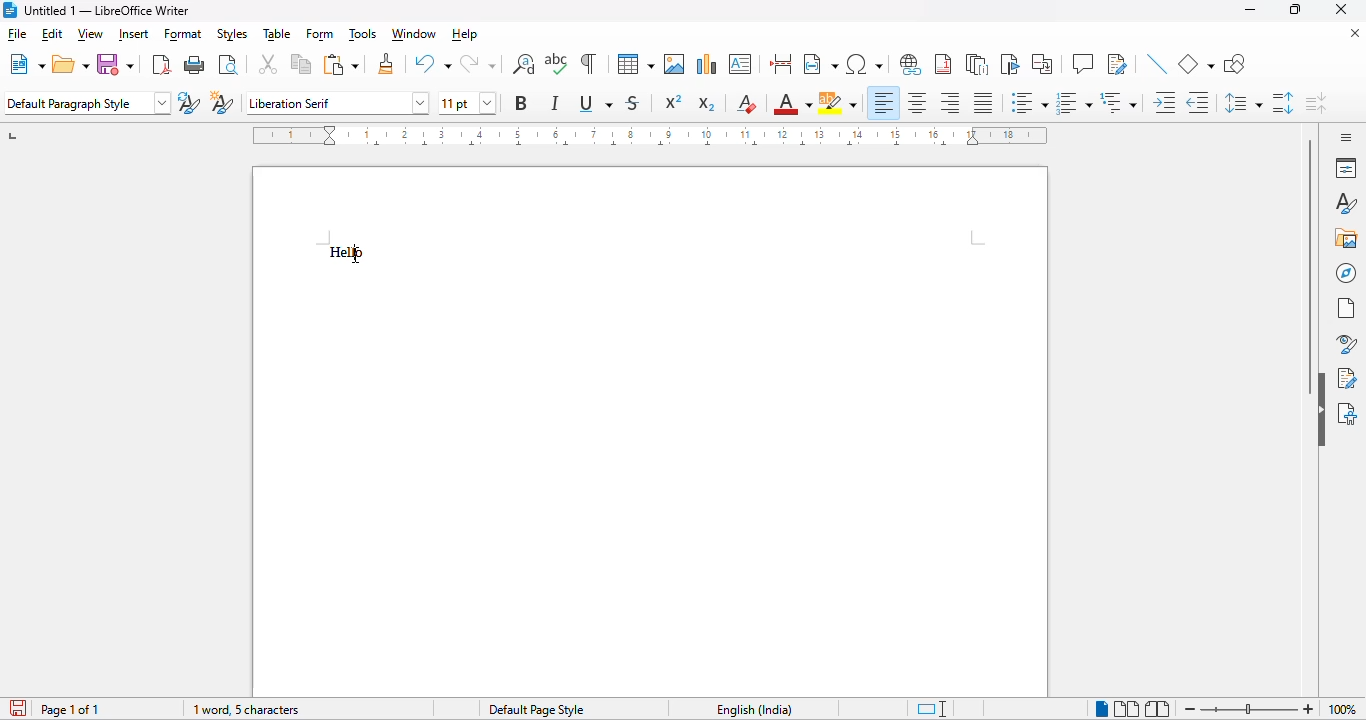 The height and width of the screenshot is (720, 1366). What do you see at coordinates (1251, 10) in the screenshot?
I see `minimize` at bounding box center [1251, 10].